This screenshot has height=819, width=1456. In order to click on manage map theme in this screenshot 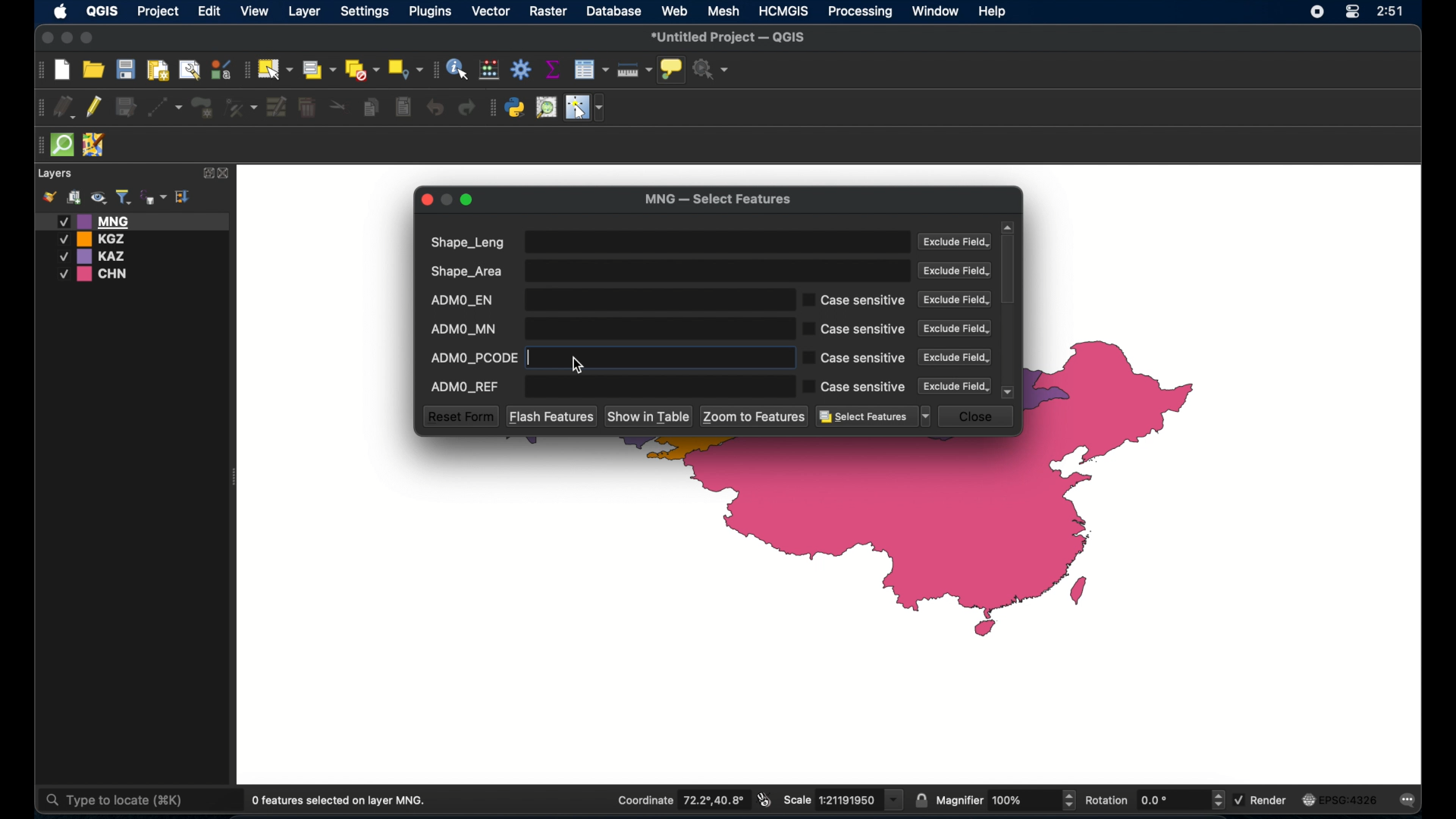, I will do `click(98, 198)`.